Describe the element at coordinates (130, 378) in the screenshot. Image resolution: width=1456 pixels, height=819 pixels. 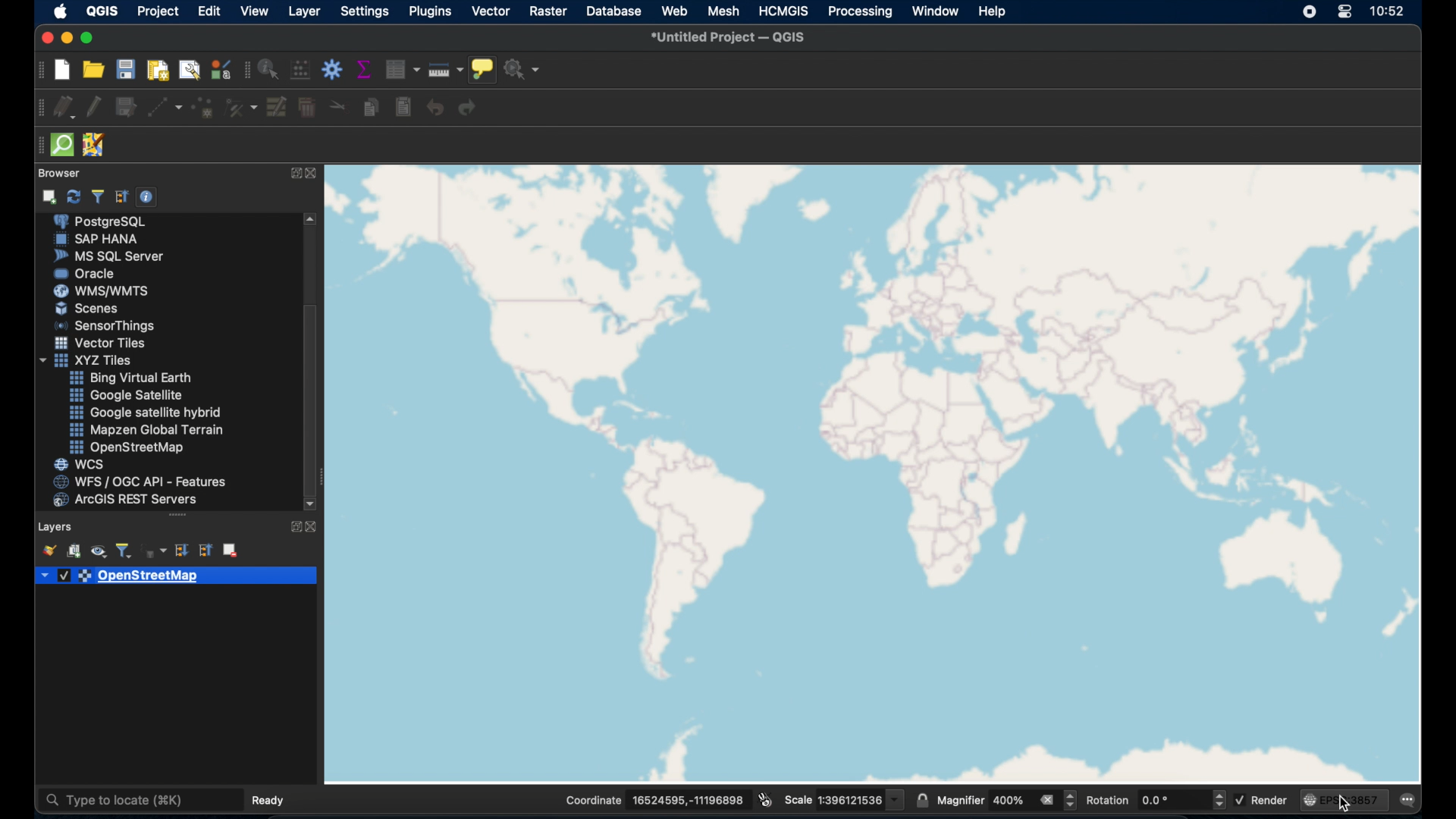
I see `` at that location.